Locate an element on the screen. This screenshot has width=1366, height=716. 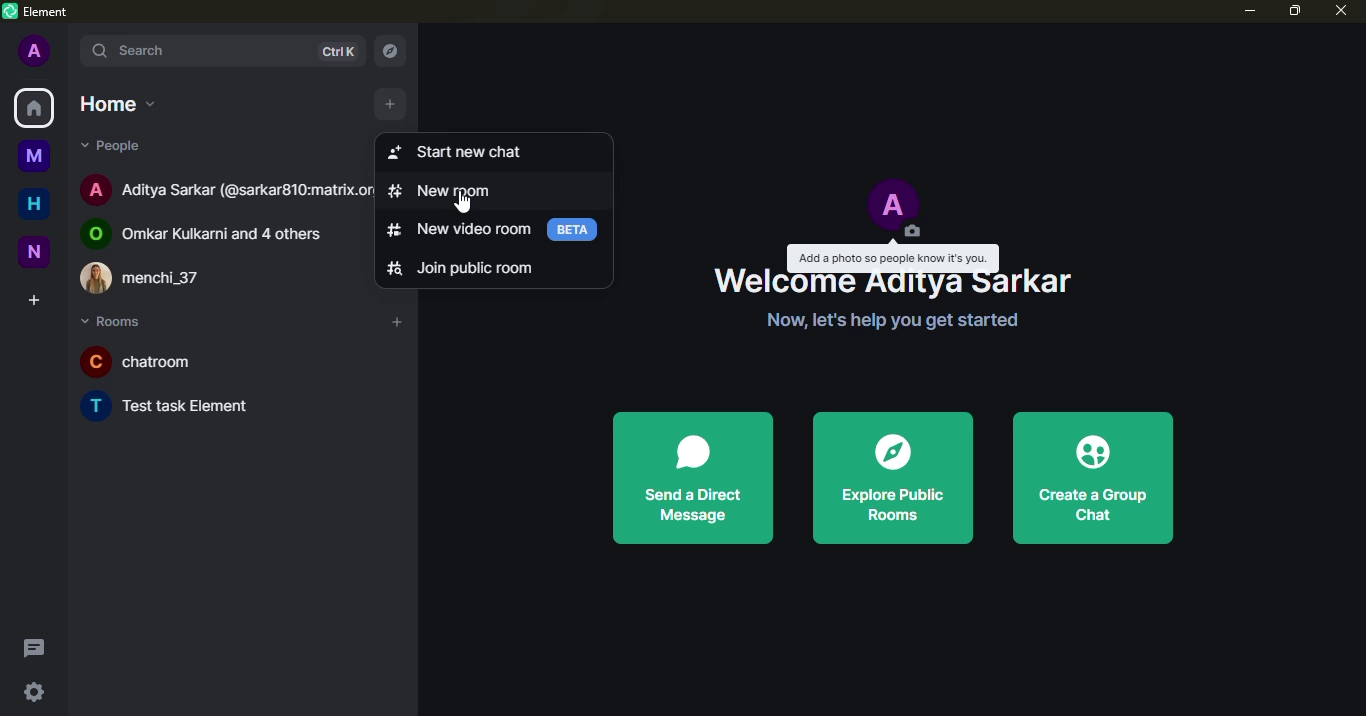
join public room is located at coordinates (465, 266).